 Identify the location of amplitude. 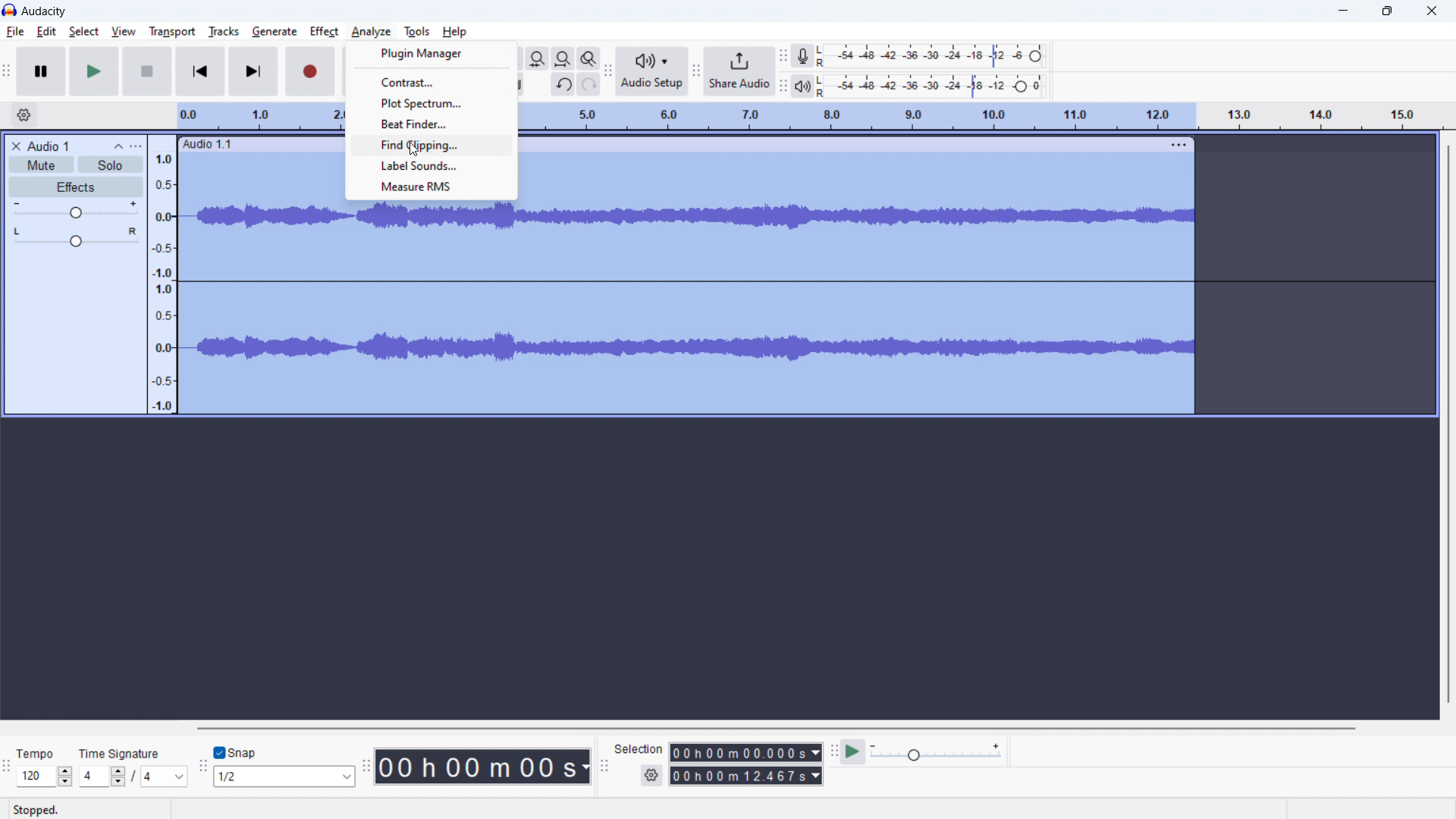
(160, 275).